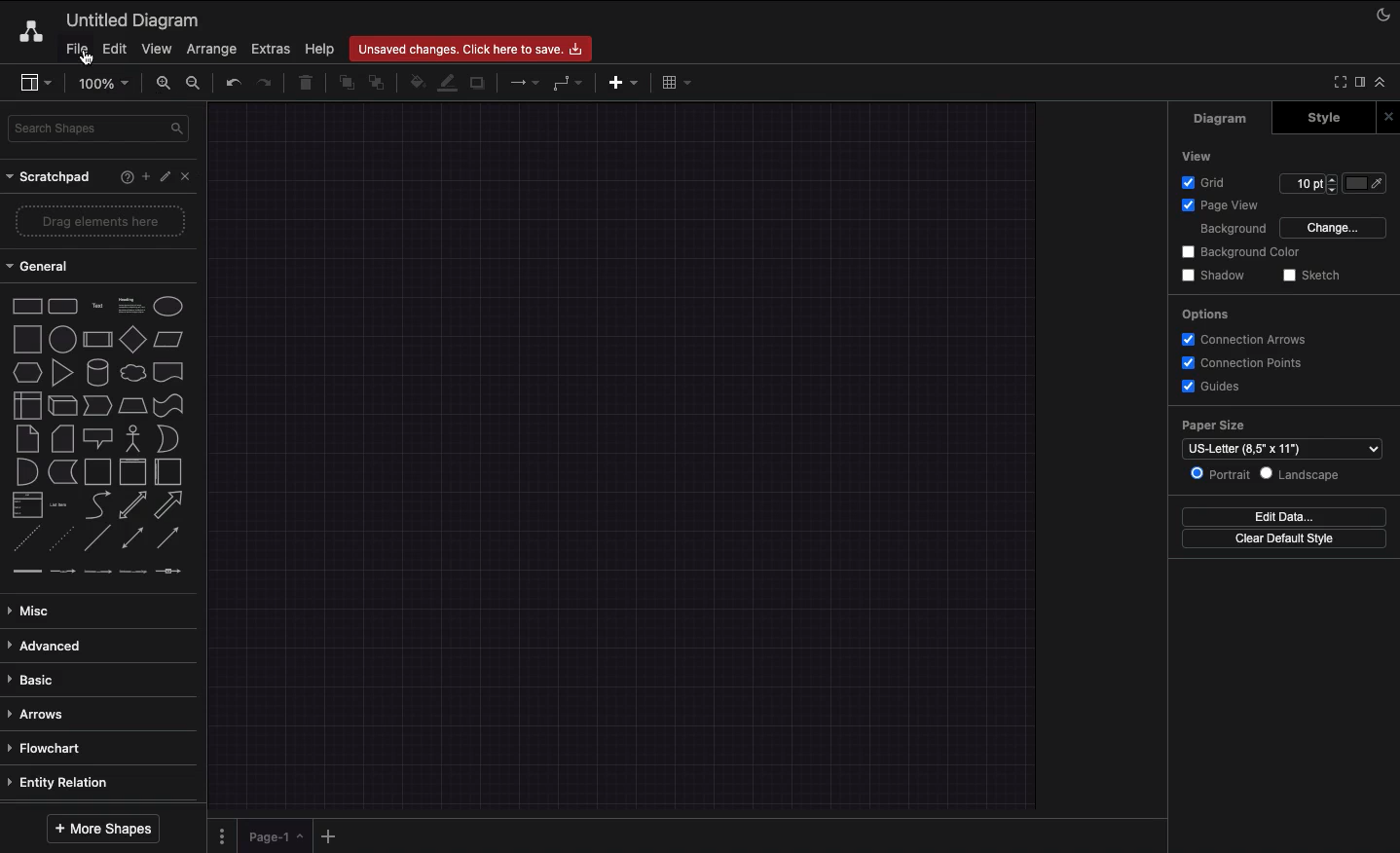 This screenshot has width=1400, height=853. What do you see at coordinates (34, 611) in the screenshot?
I see `Misc` at bounding box center [34, 611].